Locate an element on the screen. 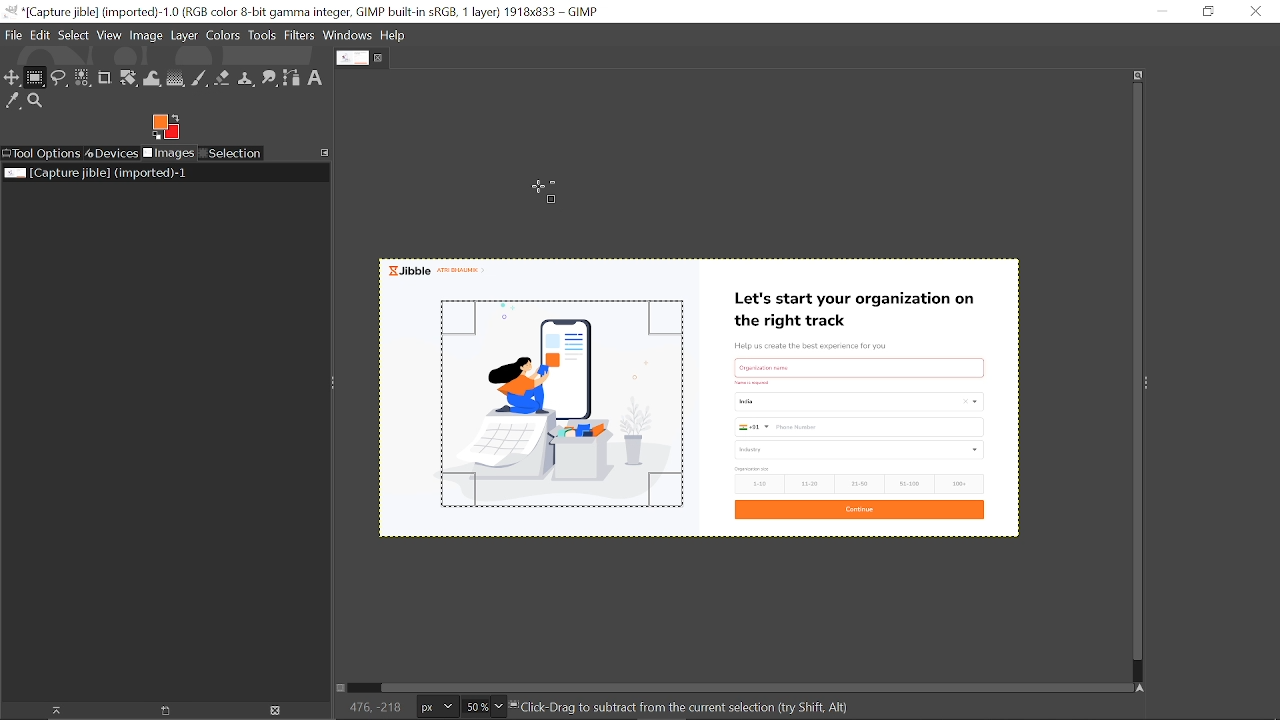  Path tool is located at coordinates (293, 78).